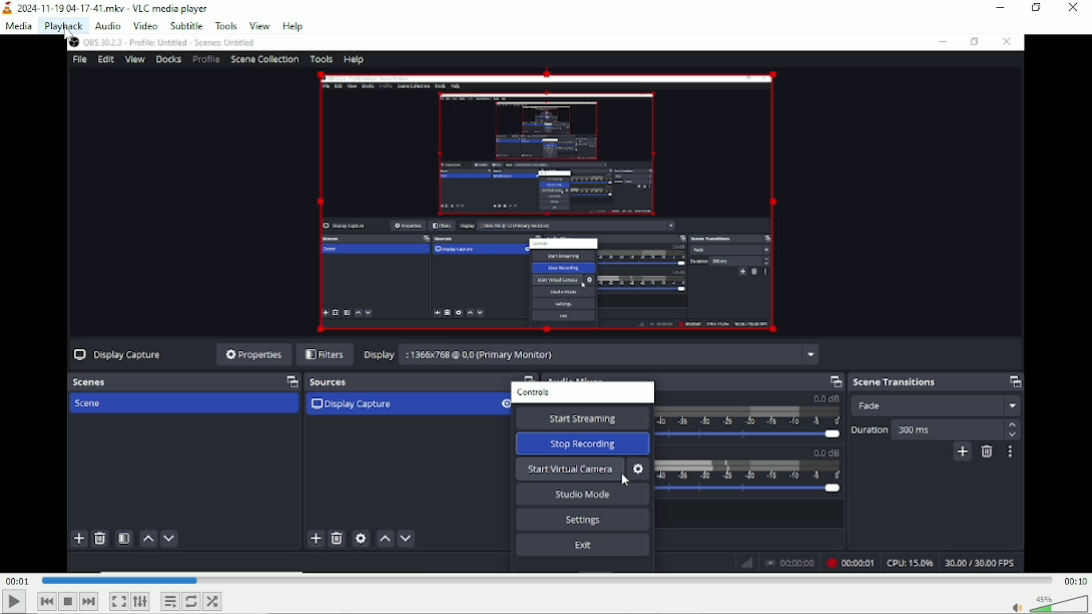 The height and width of the screenshot is (614, 1092). I want to click on Play duration, so click(546, 580).